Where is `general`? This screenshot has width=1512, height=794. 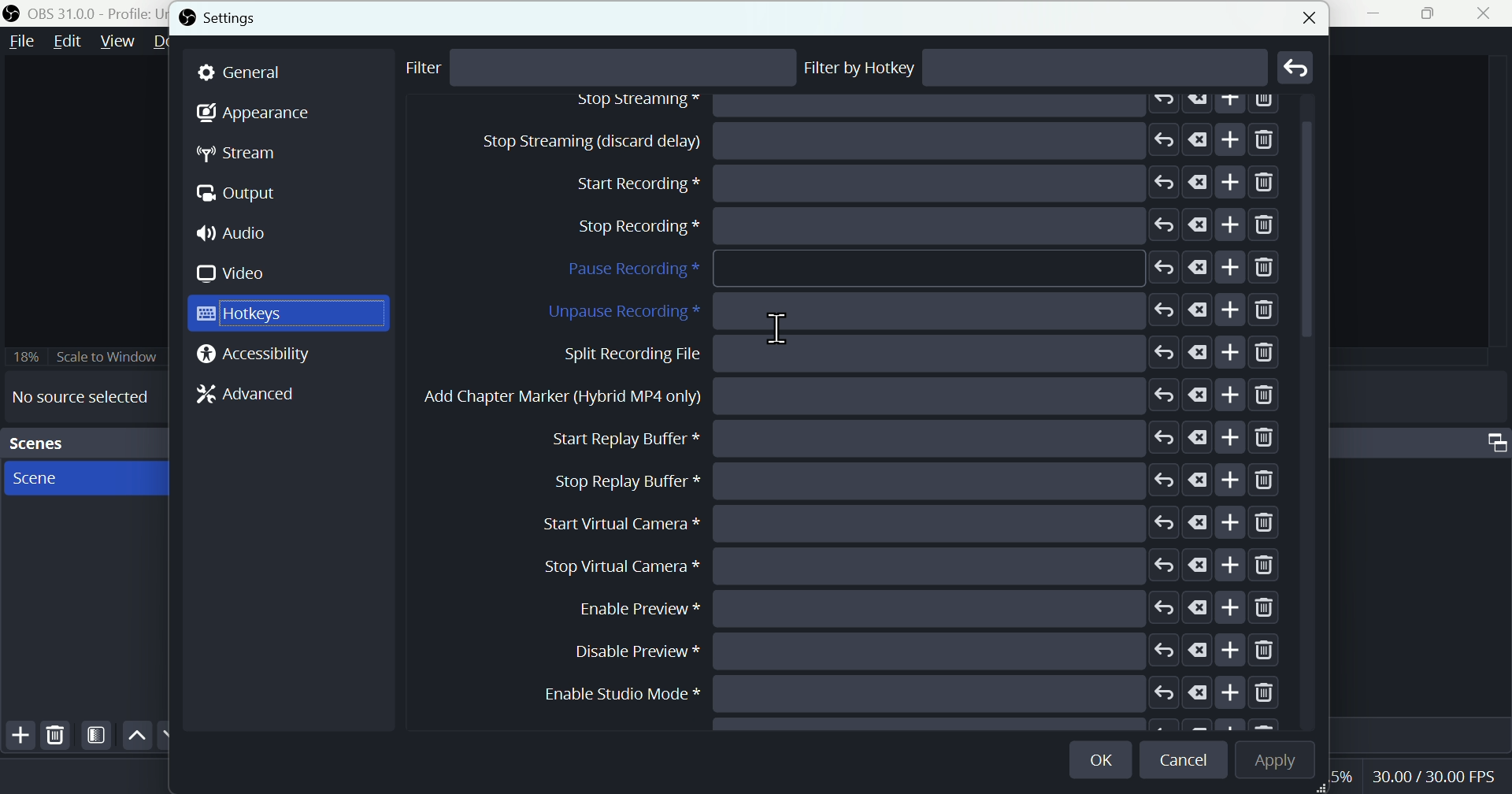 general is located at coordinates (289, 72).